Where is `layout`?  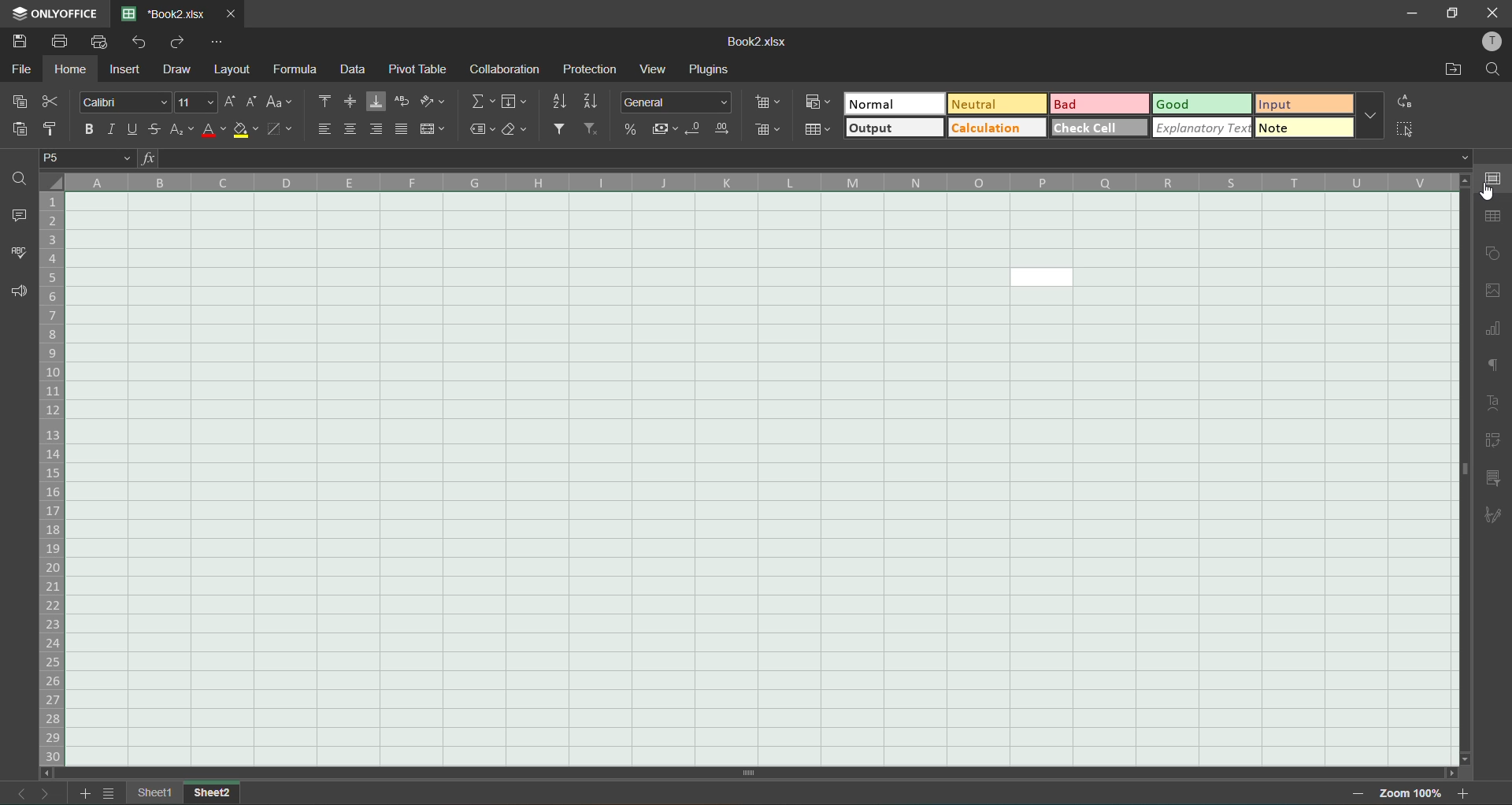 layout is located at coordinates (232, 71).